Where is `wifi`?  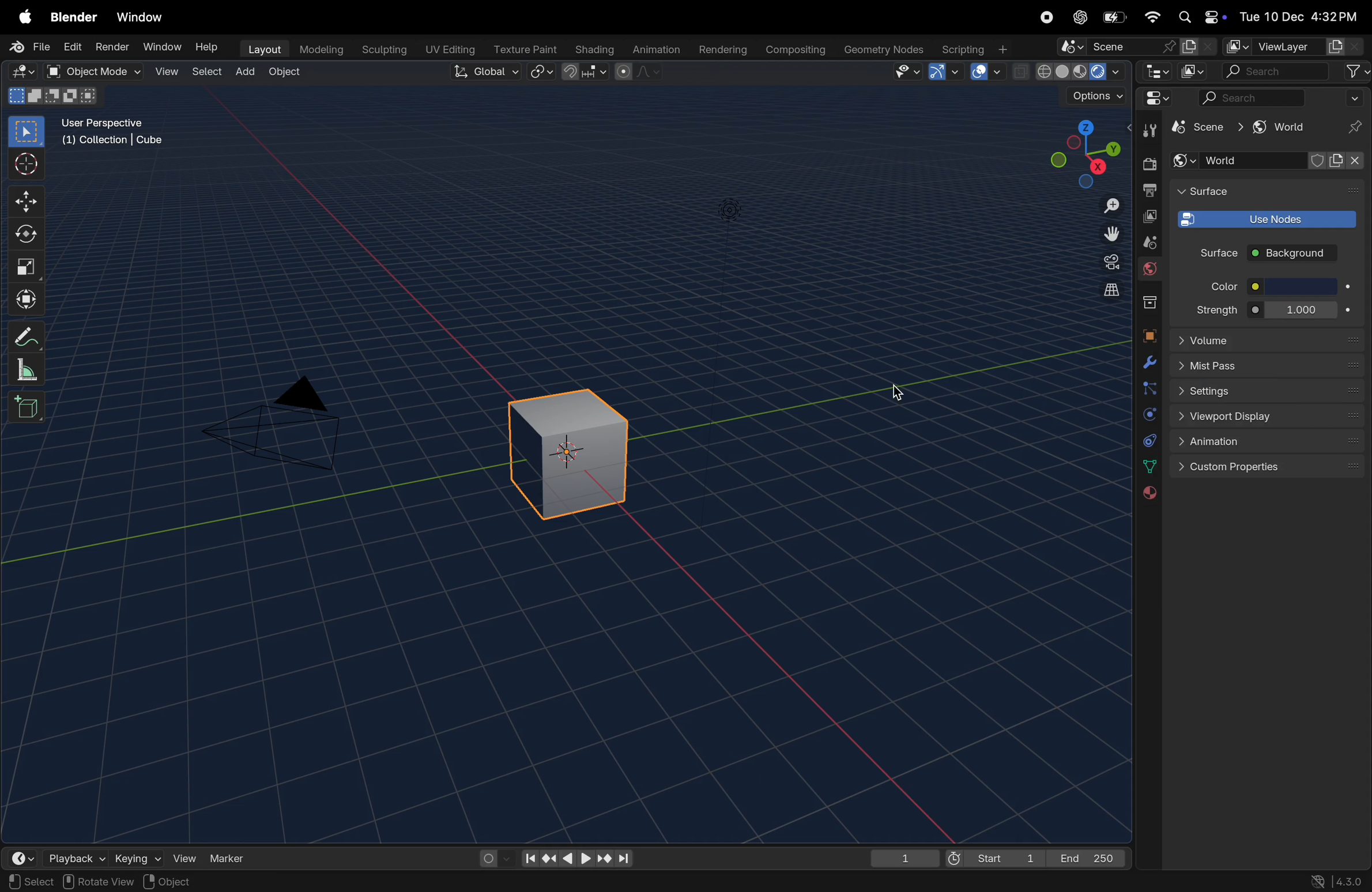
wifi is located at coordinates (1152, 17).